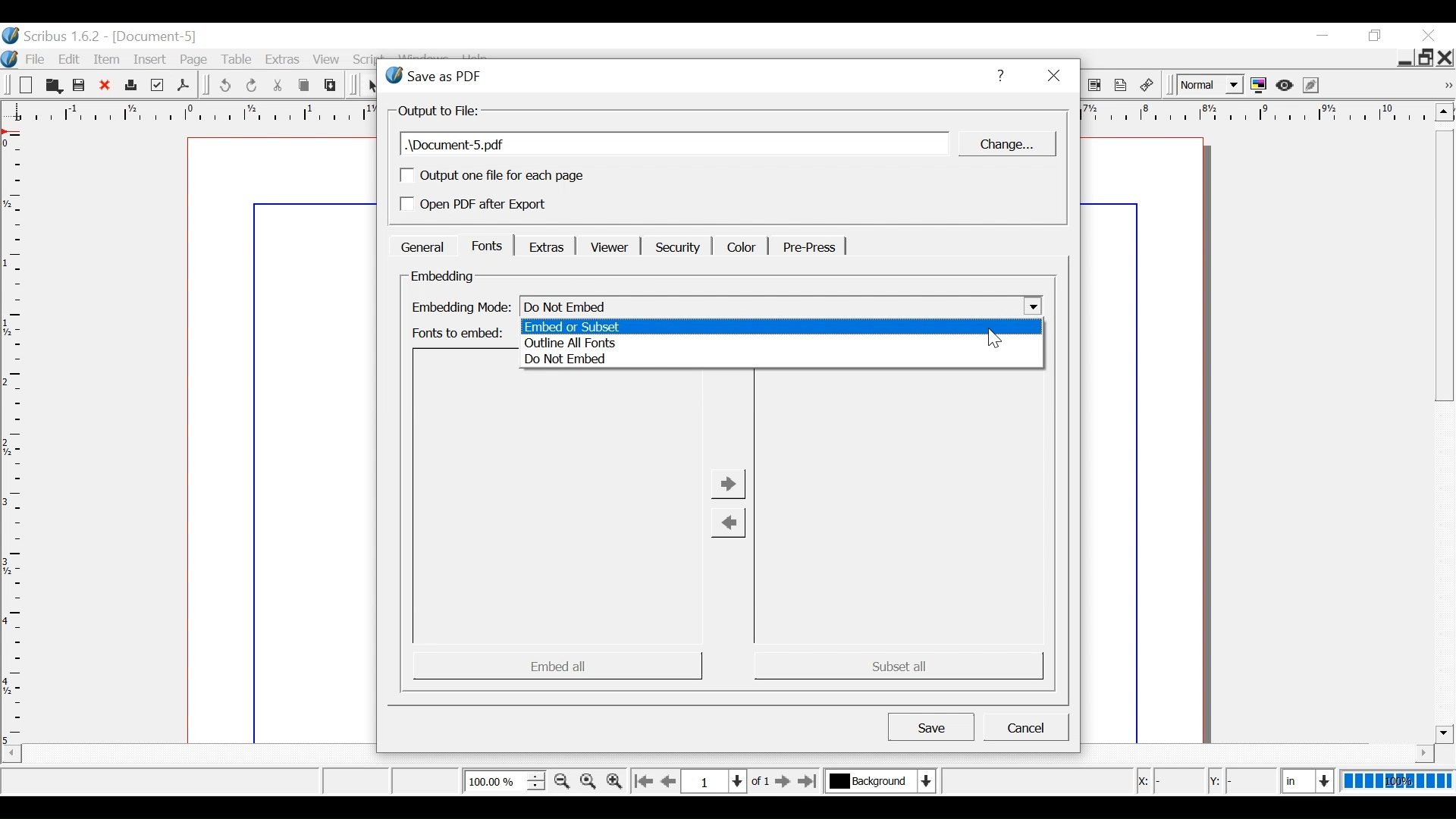 The width and height of the screenshot is (1456, 819). Describe the element at coordinates (670, 781) in the screenshot. I see `Go to the previous page` at that location.